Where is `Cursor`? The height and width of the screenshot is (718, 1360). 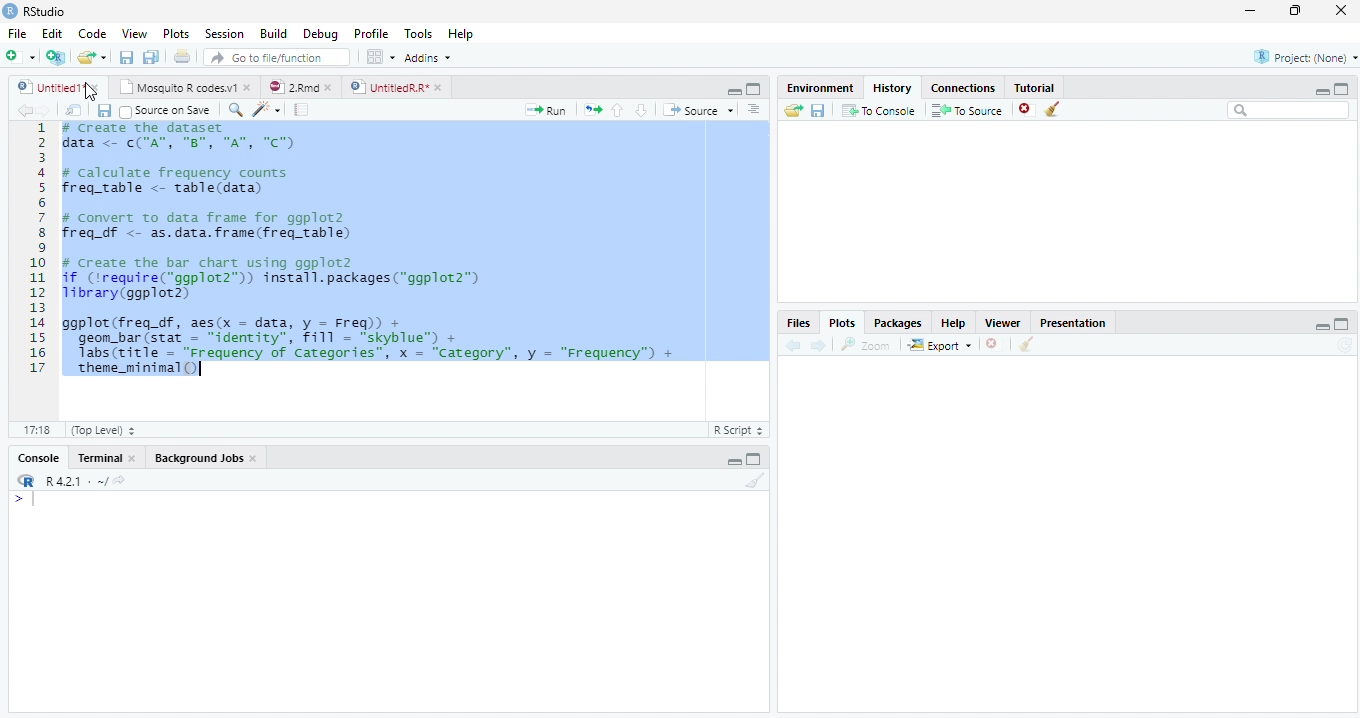 Cursor is located at coordinates (90, 91).